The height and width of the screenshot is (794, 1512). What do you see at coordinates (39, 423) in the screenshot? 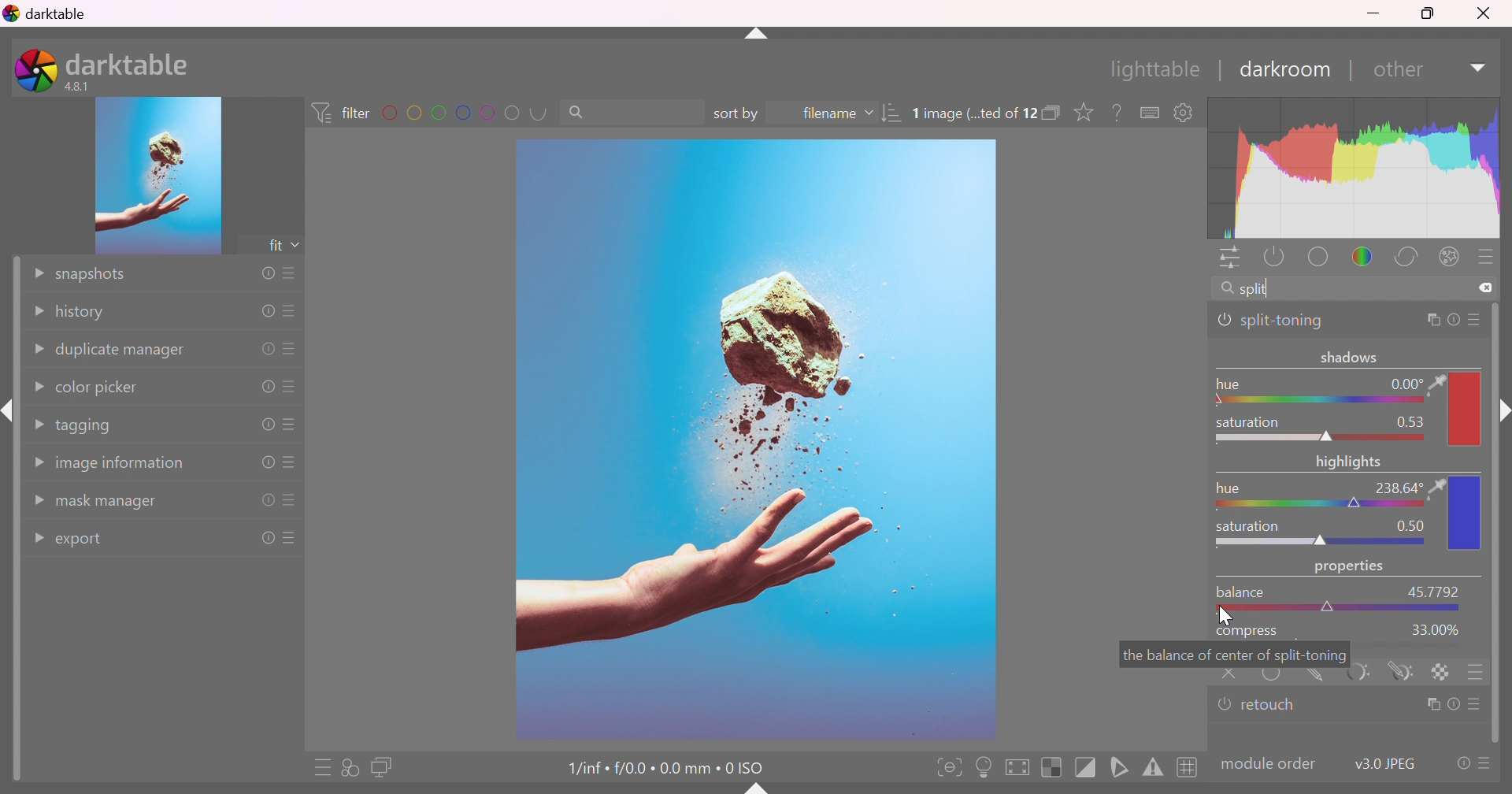
I see `Drop Down` at bounding box center [39, 423].